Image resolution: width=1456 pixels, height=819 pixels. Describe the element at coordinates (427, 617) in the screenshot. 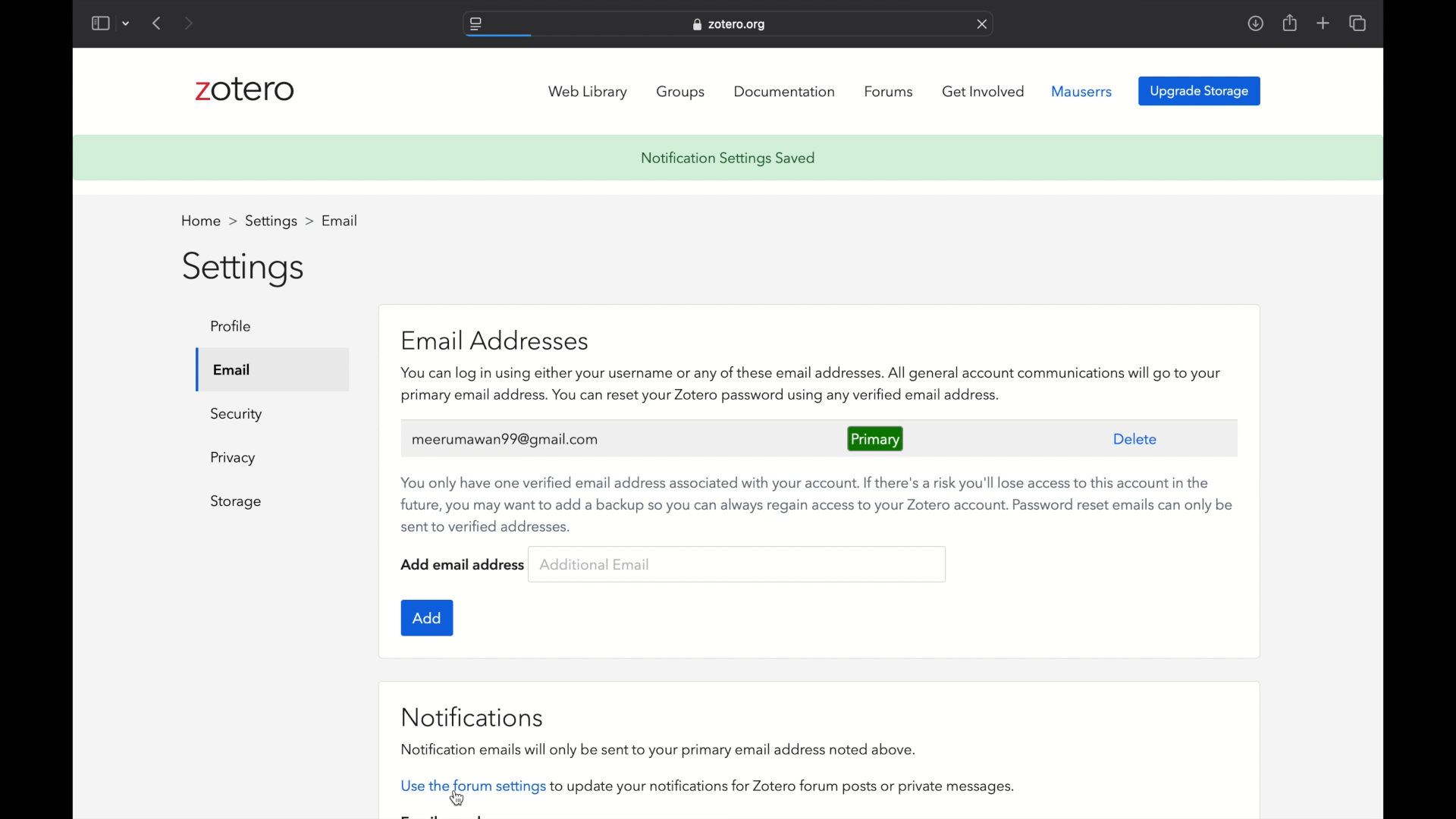

I see `add` at that location.